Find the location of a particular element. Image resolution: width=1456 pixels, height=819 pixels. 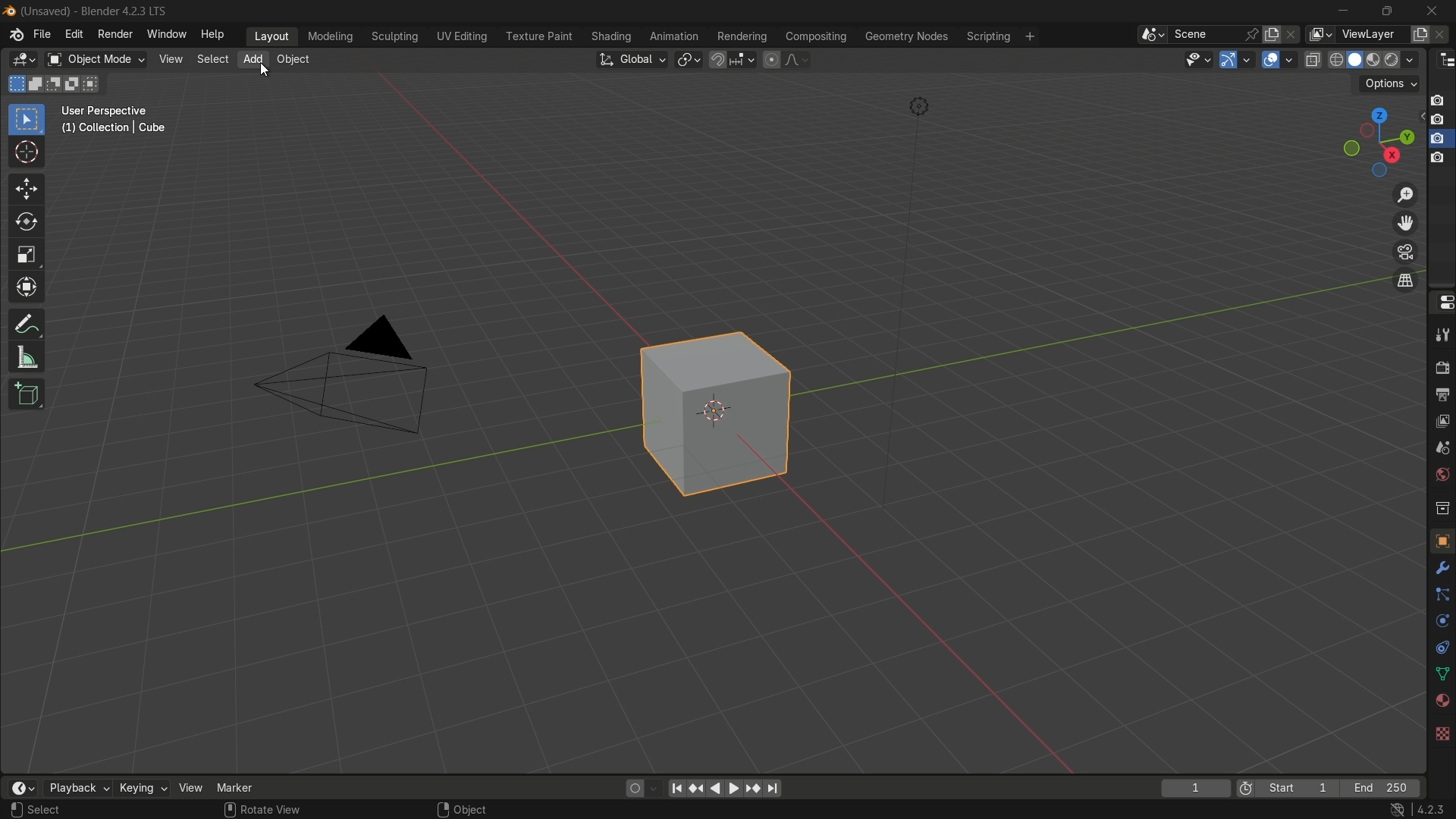

options is located at coordinates (1390, 84).